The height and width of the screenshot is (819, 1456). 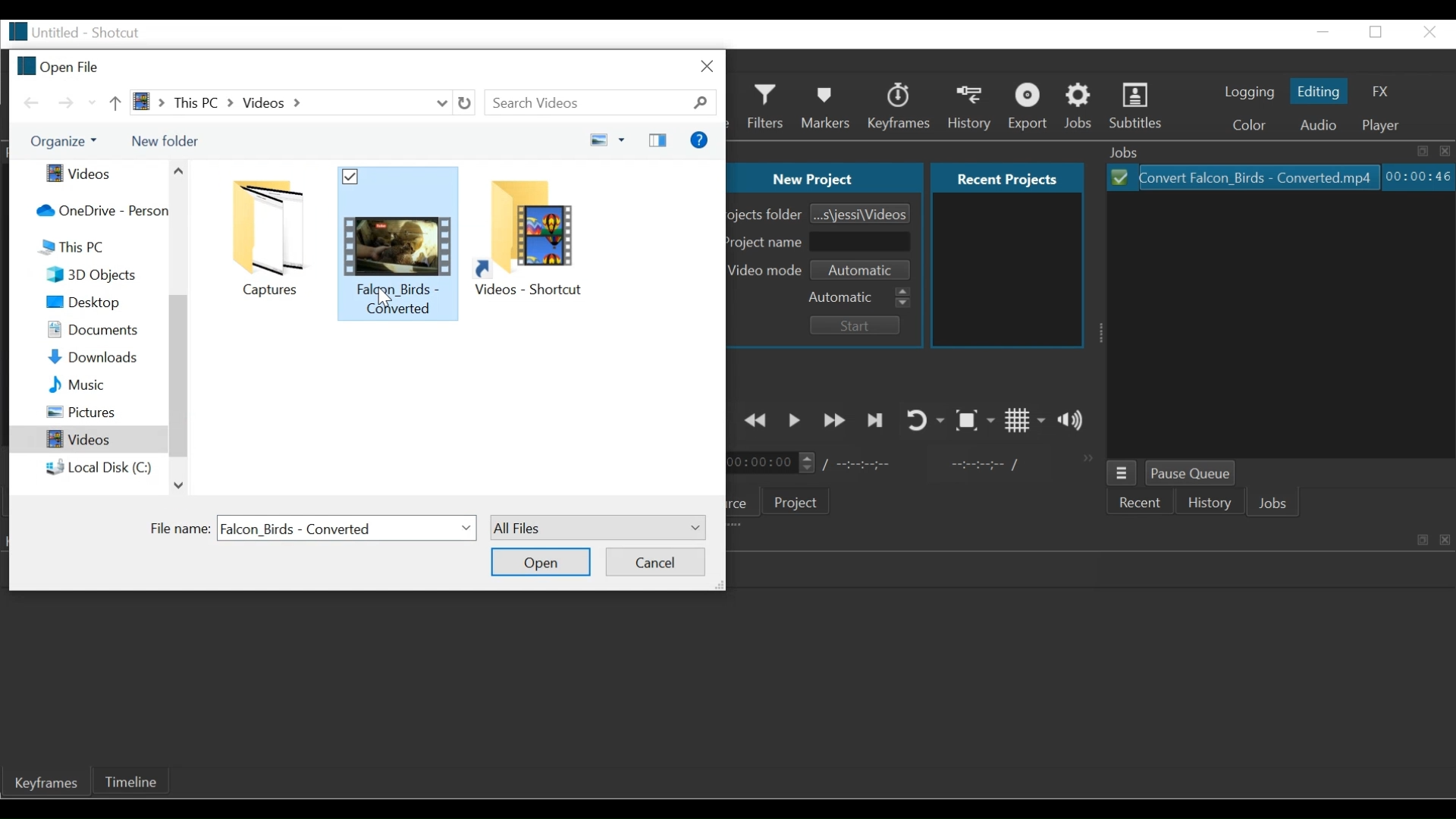 What do you see at coordinates (607, 140) in the screenshot?
I see `Change your view` at bounding box center [607, 140].